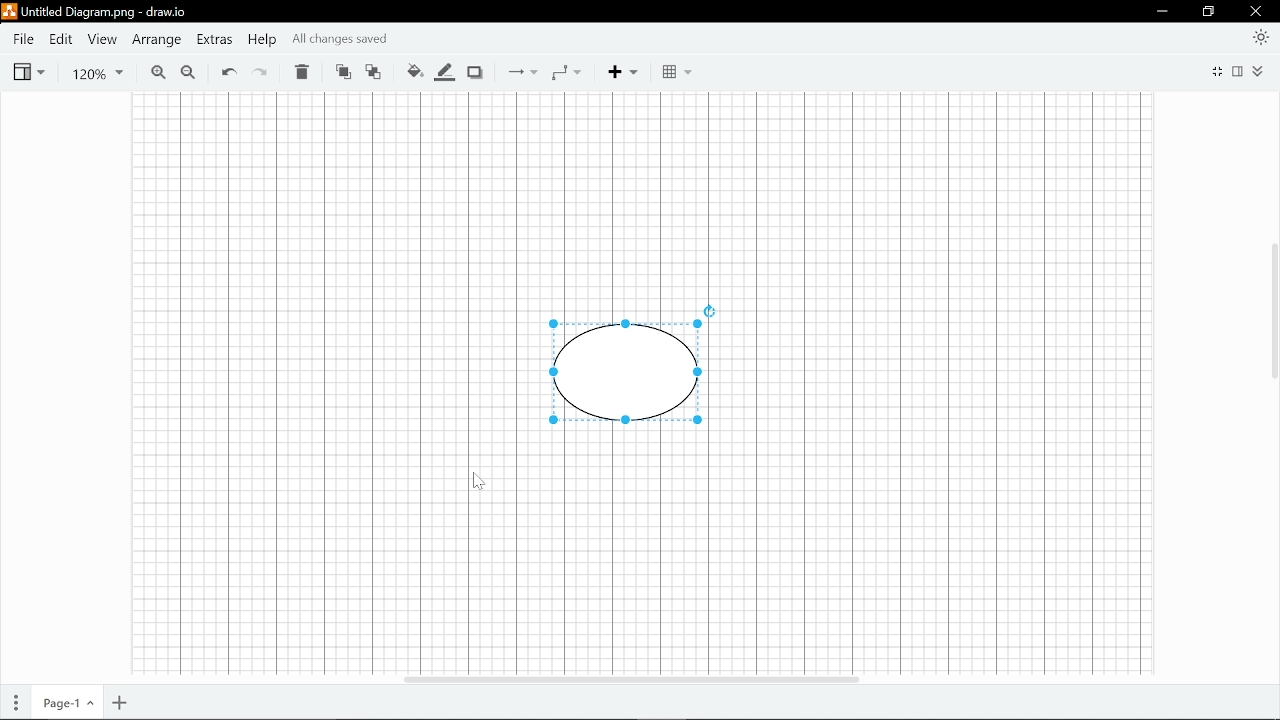 This screenshot has width=1280, height=720. I want to click on Vertical scrollar, so click(1272, 301).